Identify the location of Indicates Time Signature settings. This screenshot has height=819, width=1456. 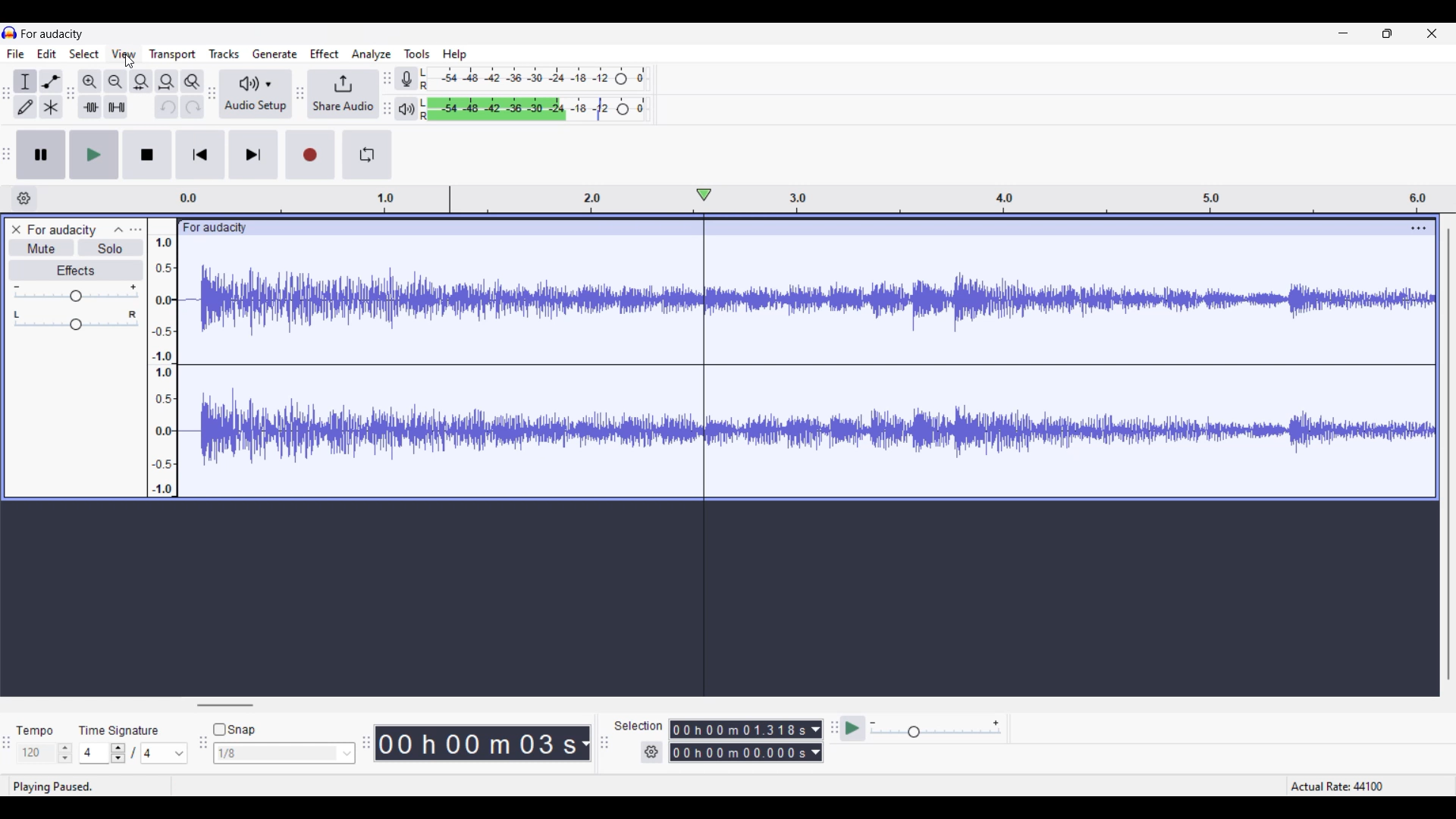
(119, 730).